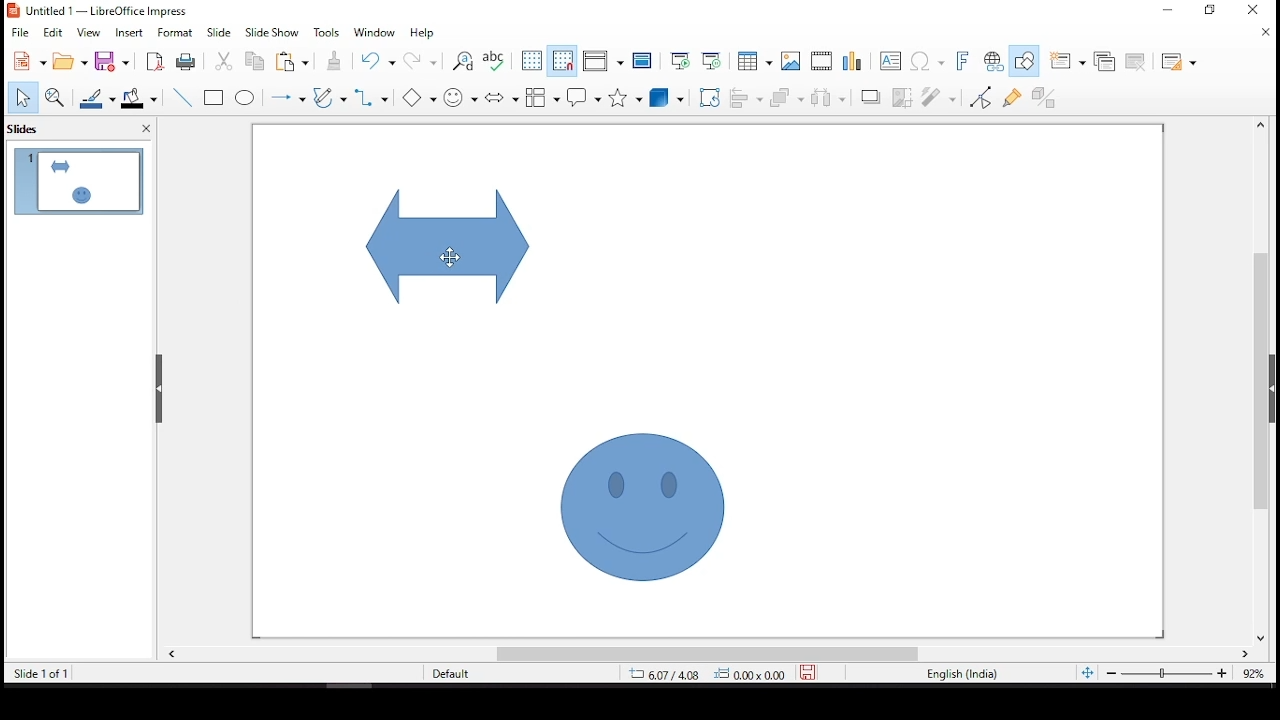  I want to click on start from first slide, so click(680, 60).